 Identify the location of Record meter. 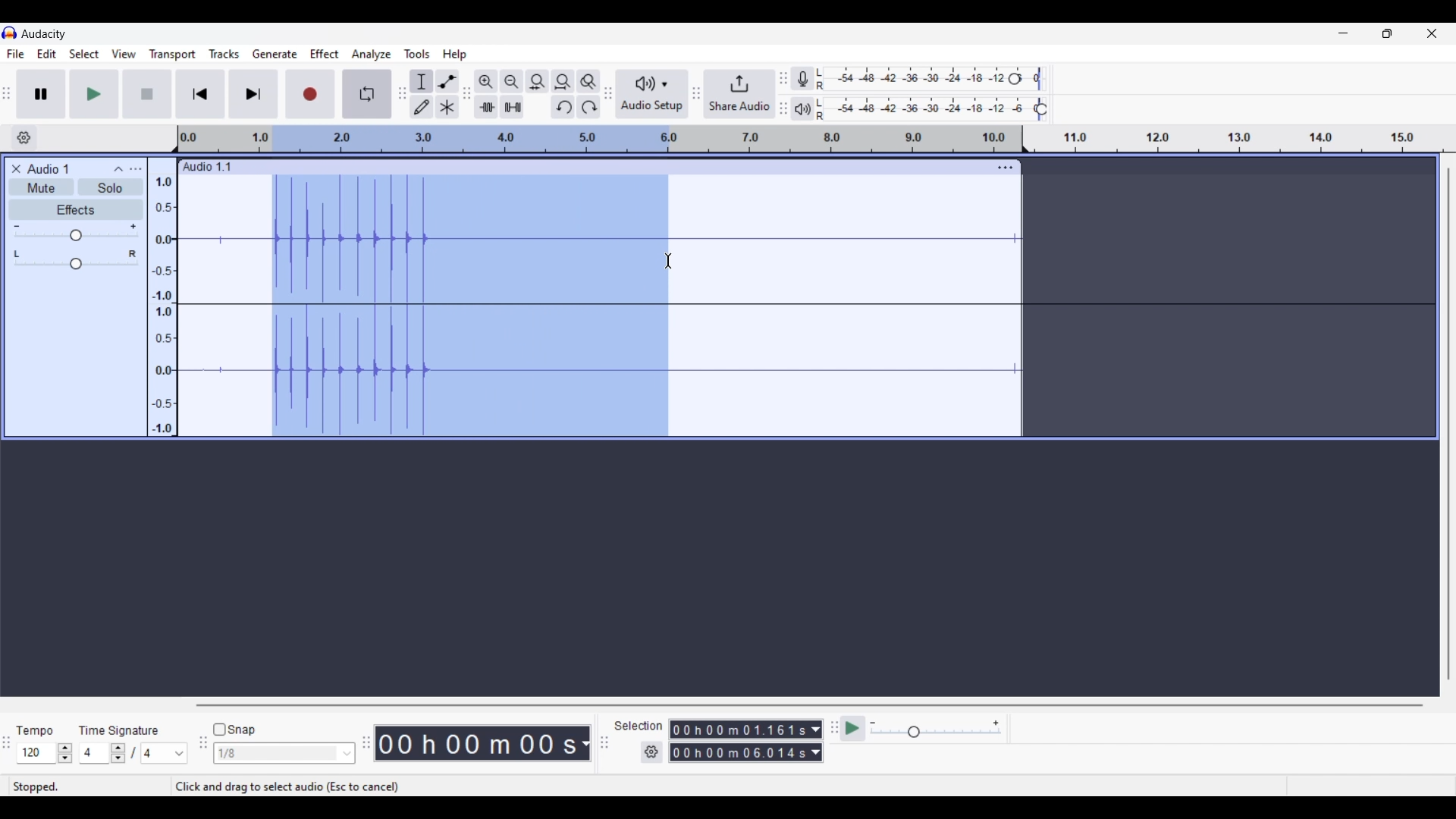
(802, 78).